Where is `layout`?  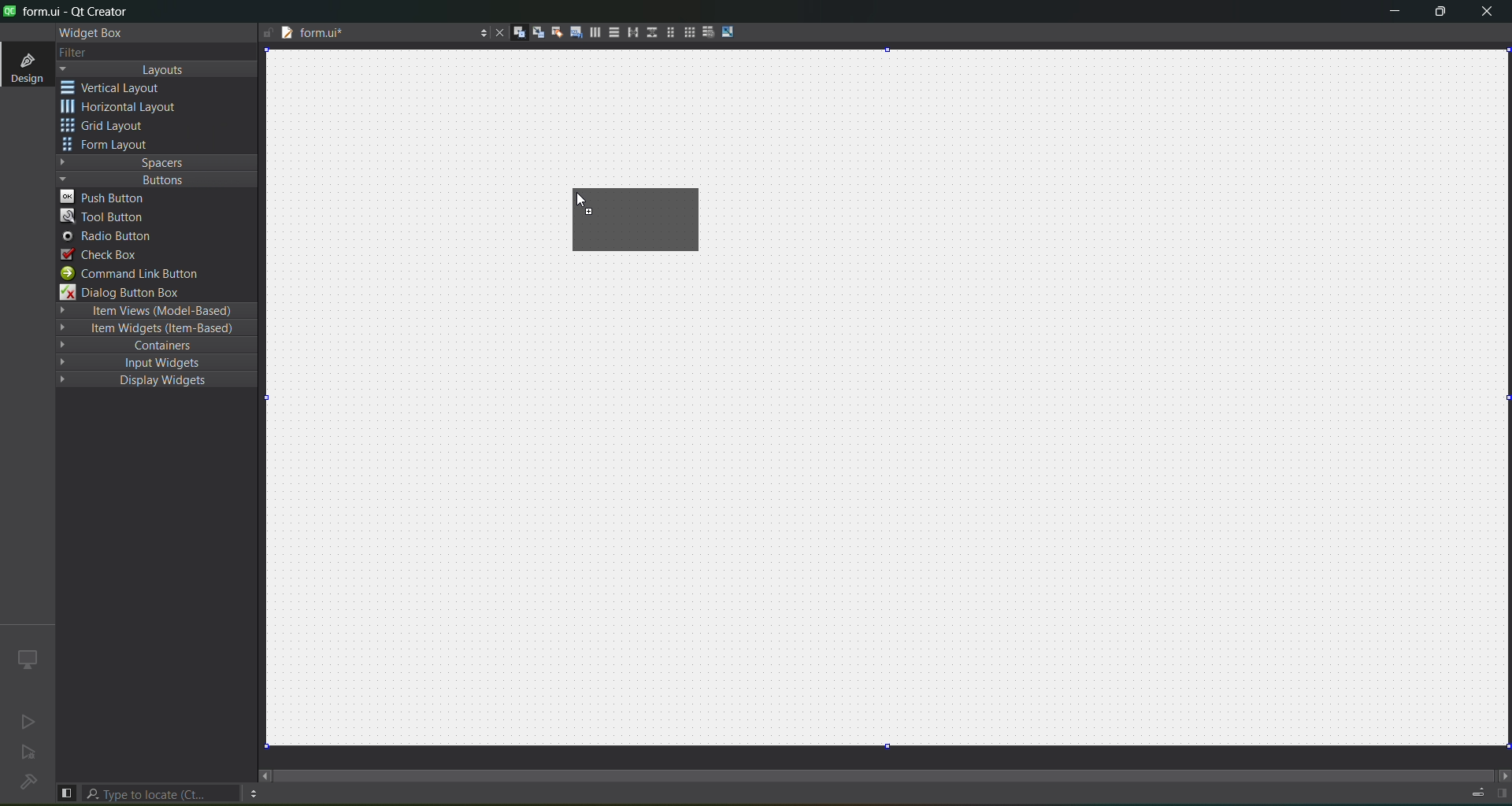
layout is located at coordinates (160, 70).